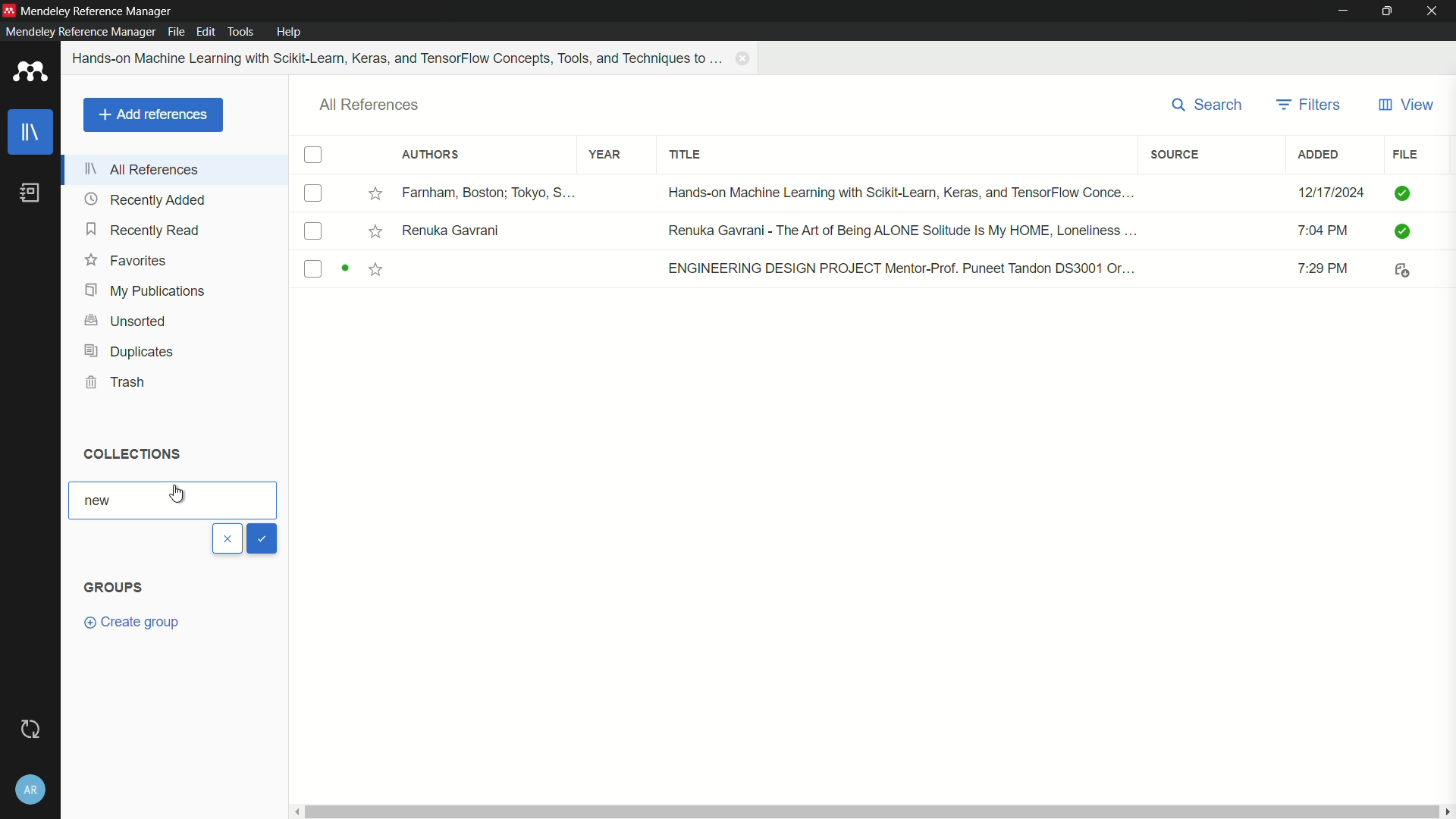 The image size is (1456, 819). Describe the element at coordinates (1404, 155) in the screenshot. I see `file` at that location.